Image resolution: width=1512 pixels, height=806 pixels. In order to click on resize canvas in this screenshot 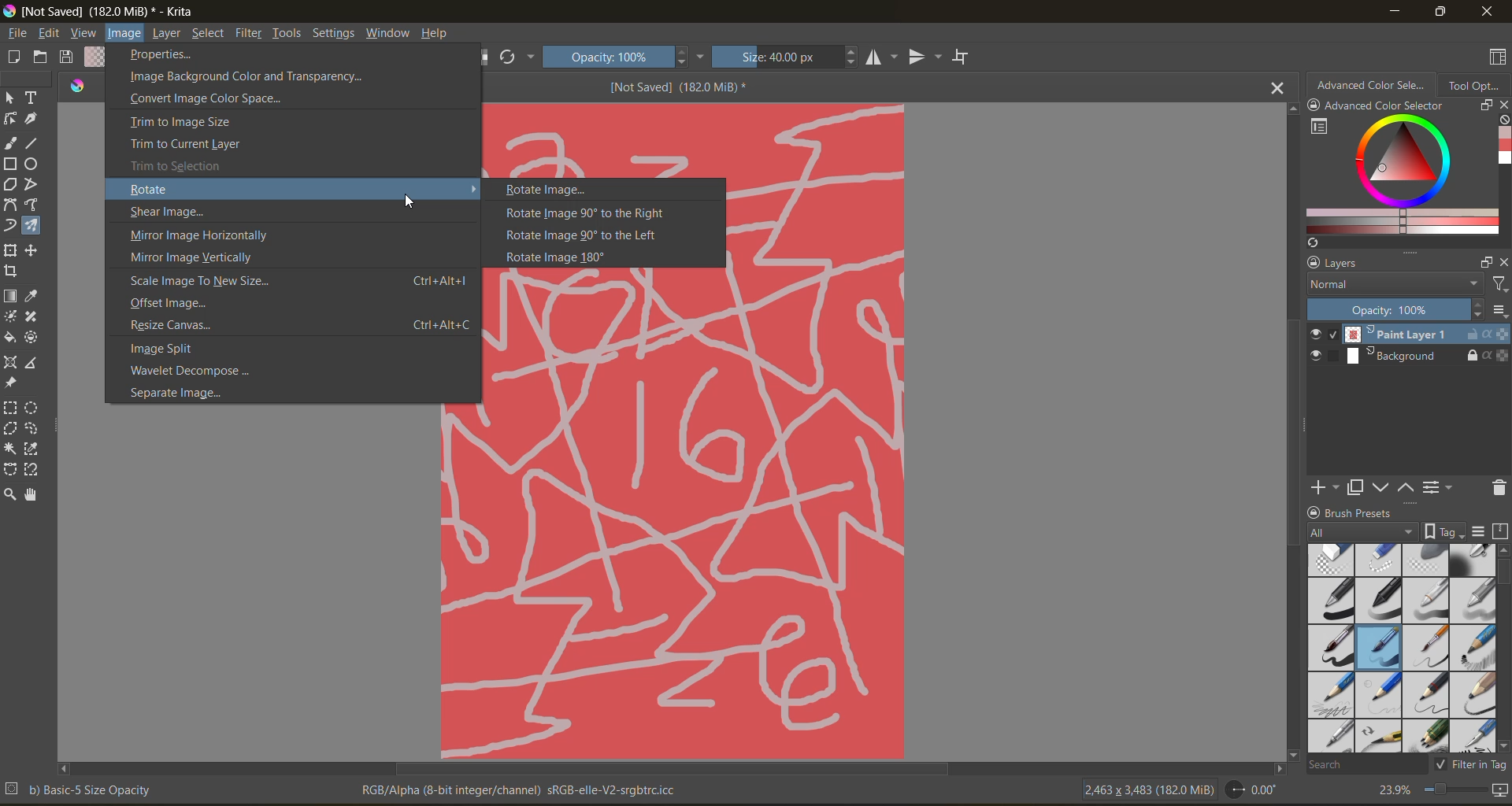, I will do `click(300, 326)`.